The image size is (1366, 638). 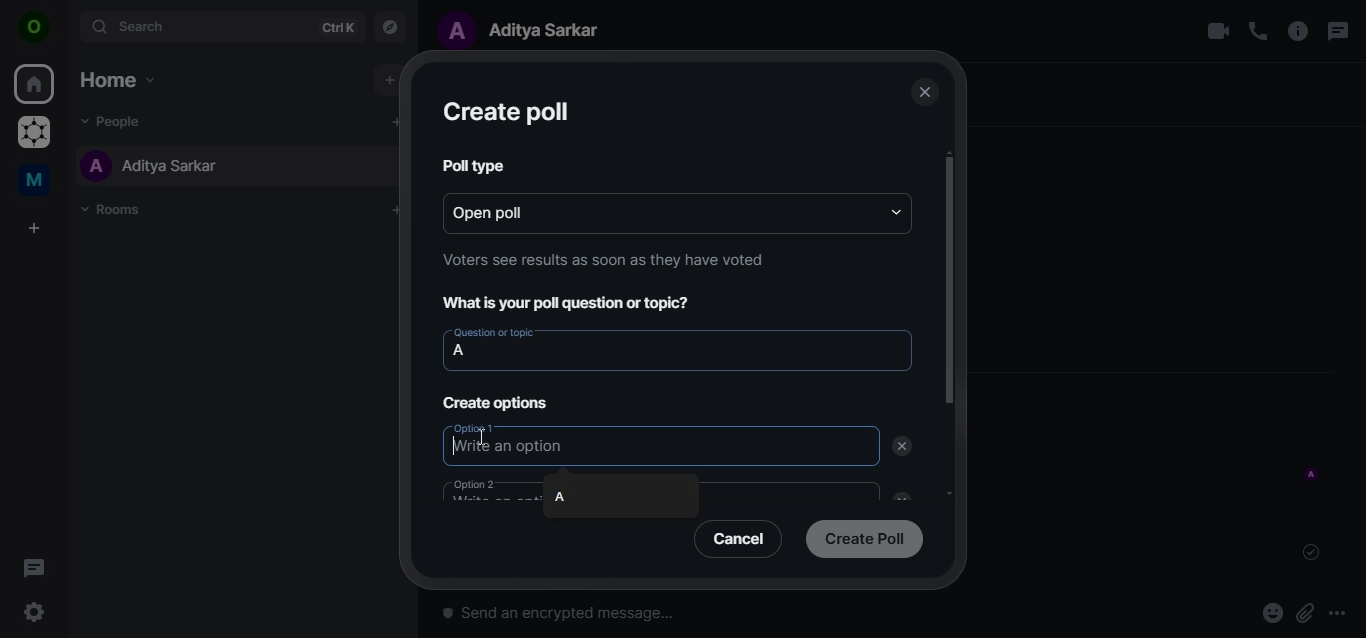 What do you see at coordinates (489, 489) in the screenshot?
I see `option  ` at bounding box center [489, 489].